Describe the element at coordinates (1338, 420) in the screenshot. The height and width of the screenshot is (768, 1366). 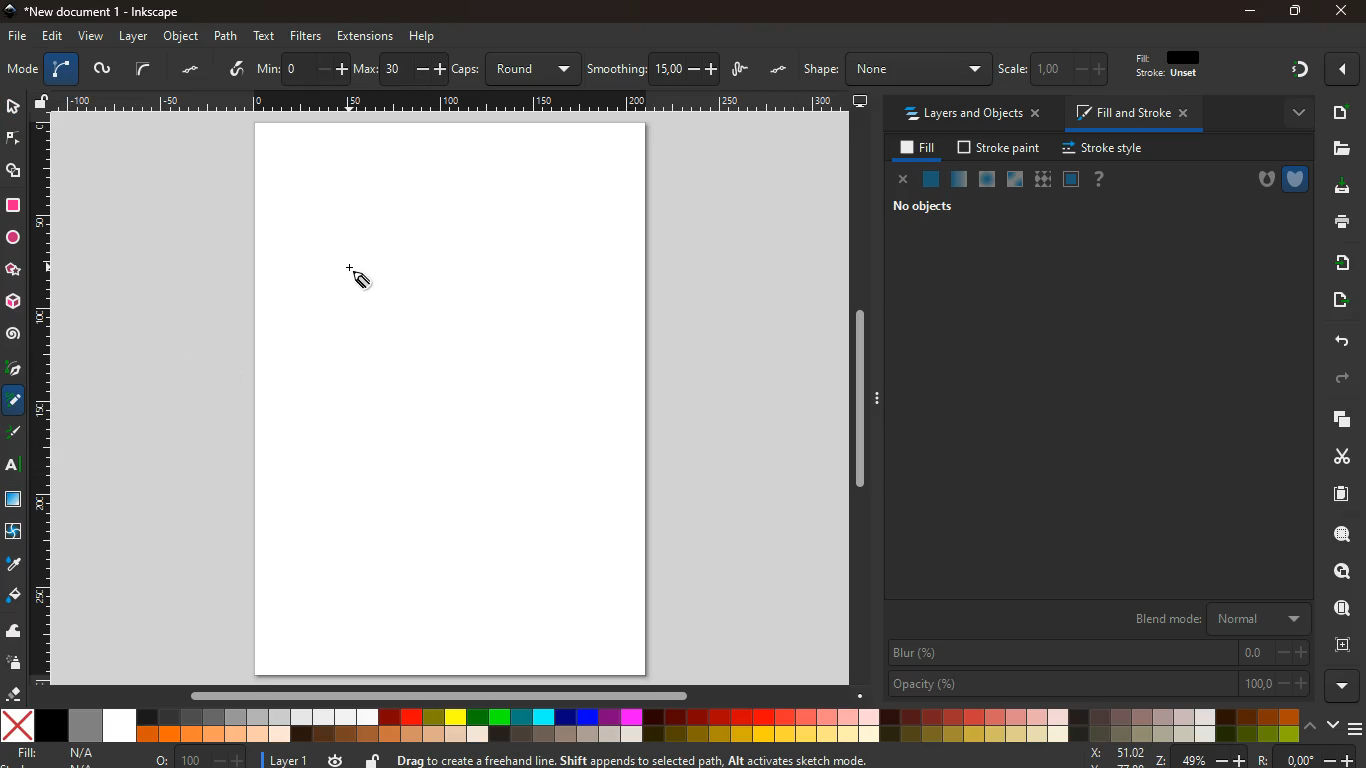
I see `copy` at that location.